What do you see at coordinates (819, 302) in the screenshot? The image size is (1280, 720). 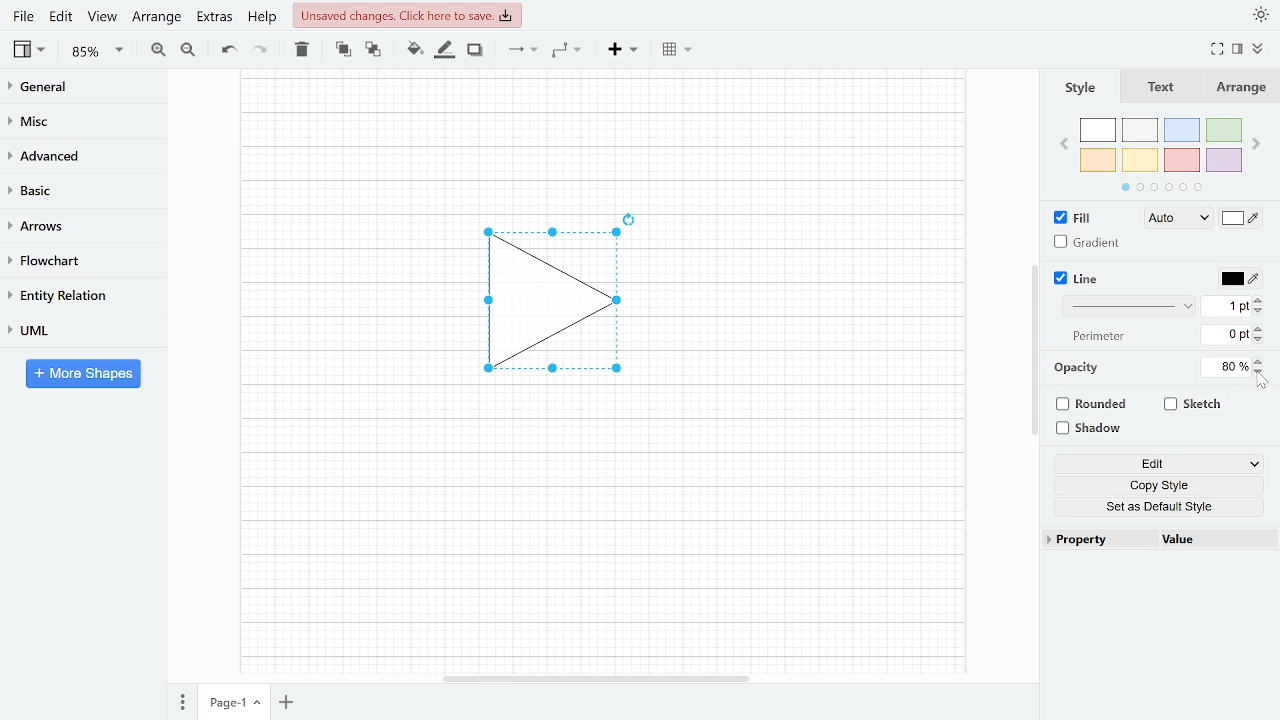 I see `workspace` at bounding box center [819, 302].